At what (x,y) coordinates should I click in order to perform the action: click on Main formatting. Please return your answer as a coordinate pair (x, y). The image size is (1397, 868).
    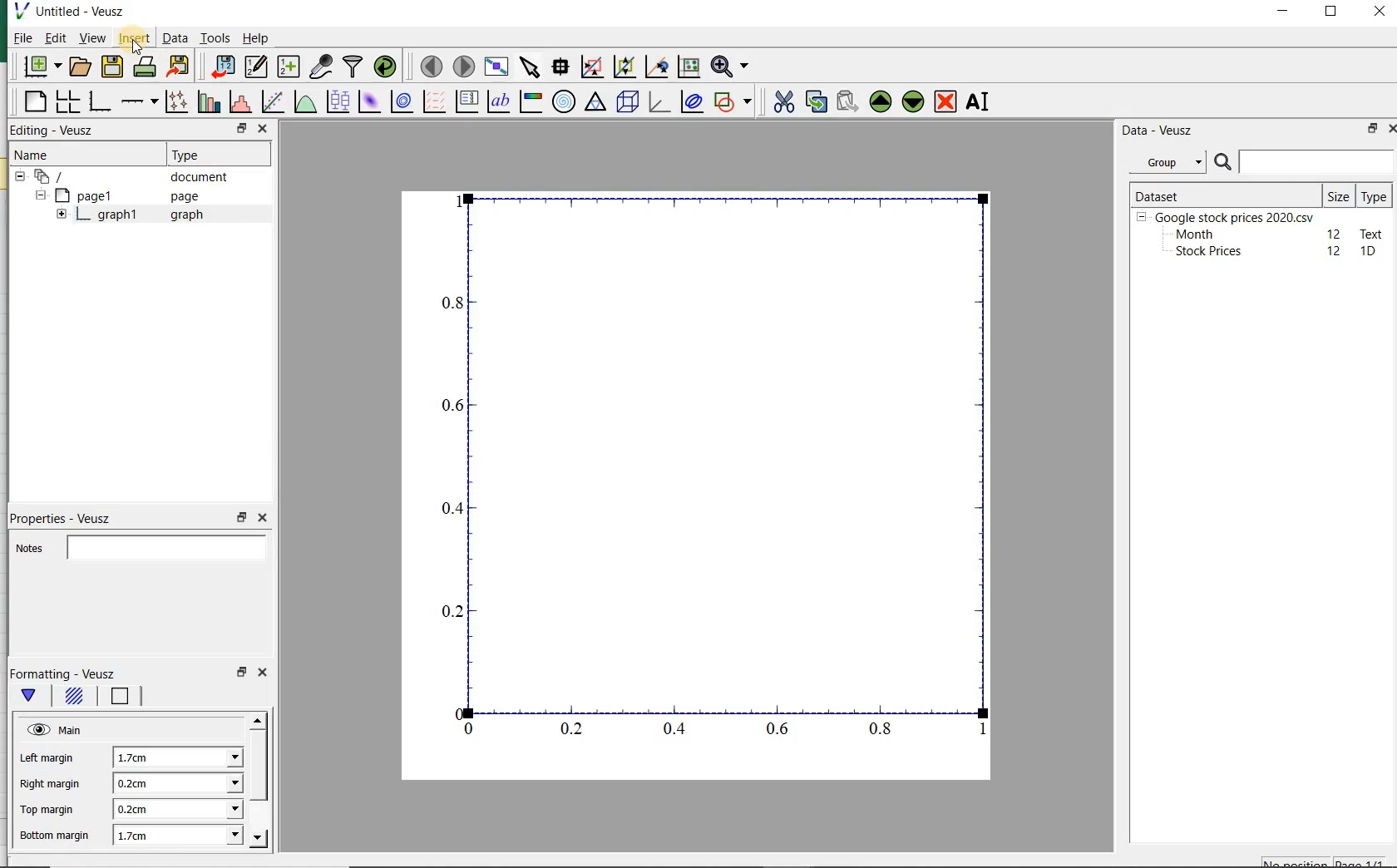
    Looking at the image, I should click on (32, 699).